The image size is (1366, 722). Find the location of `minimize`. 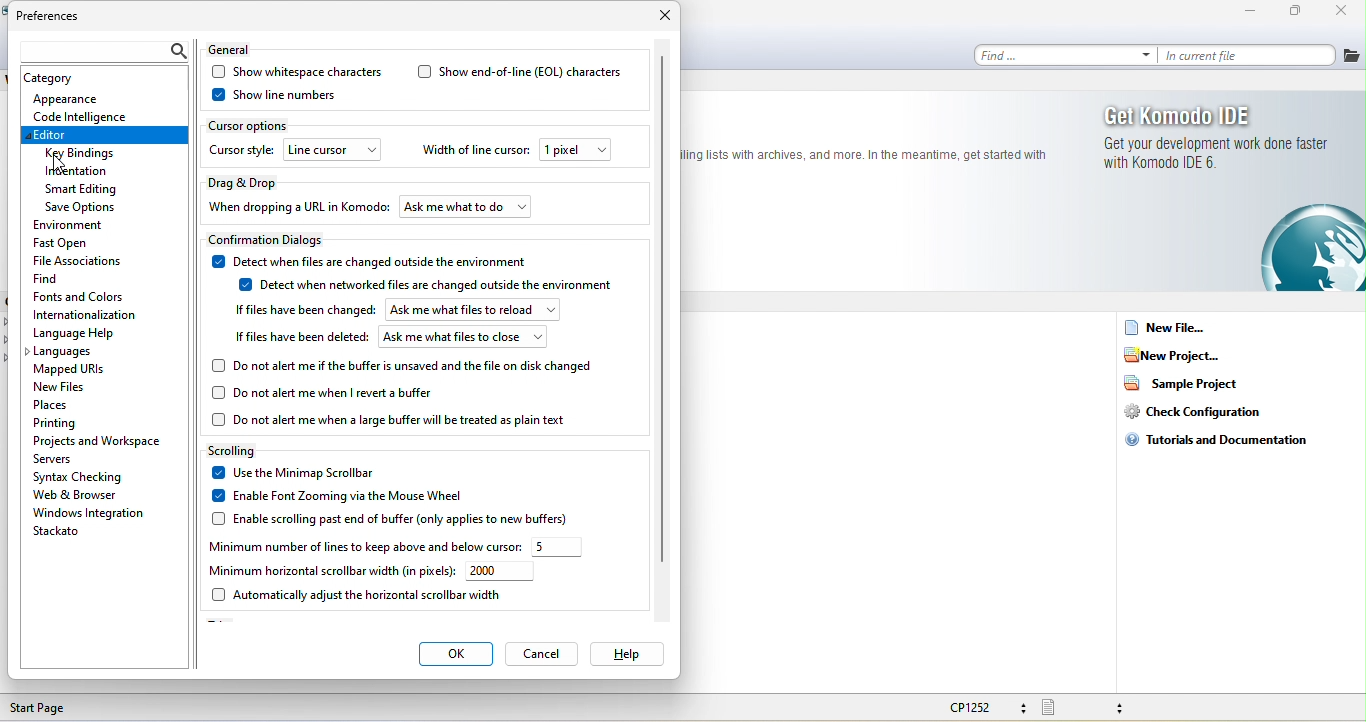

minimize is located at coordinates (1250, 12).